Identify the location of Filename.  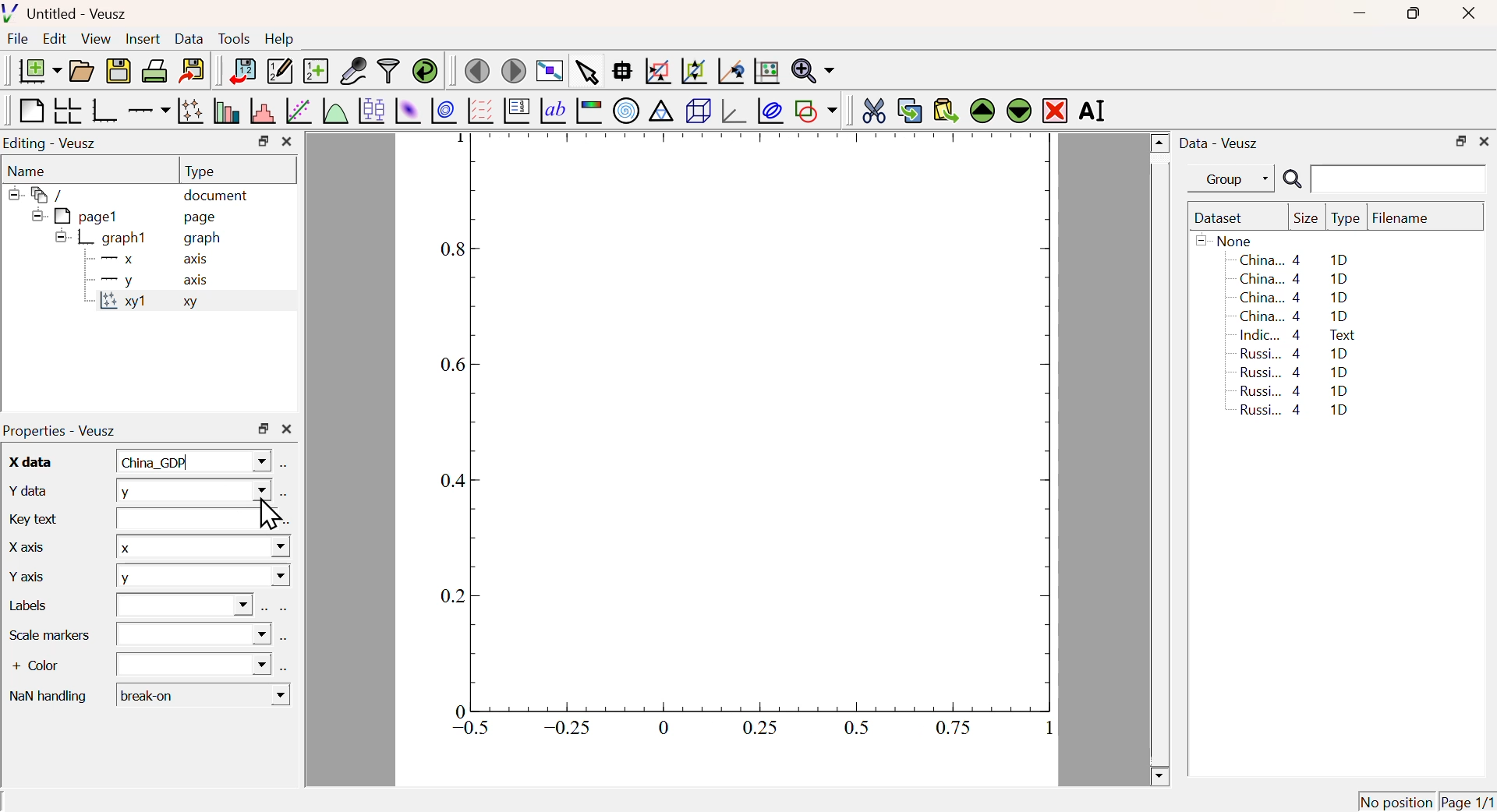
(1408, 219).